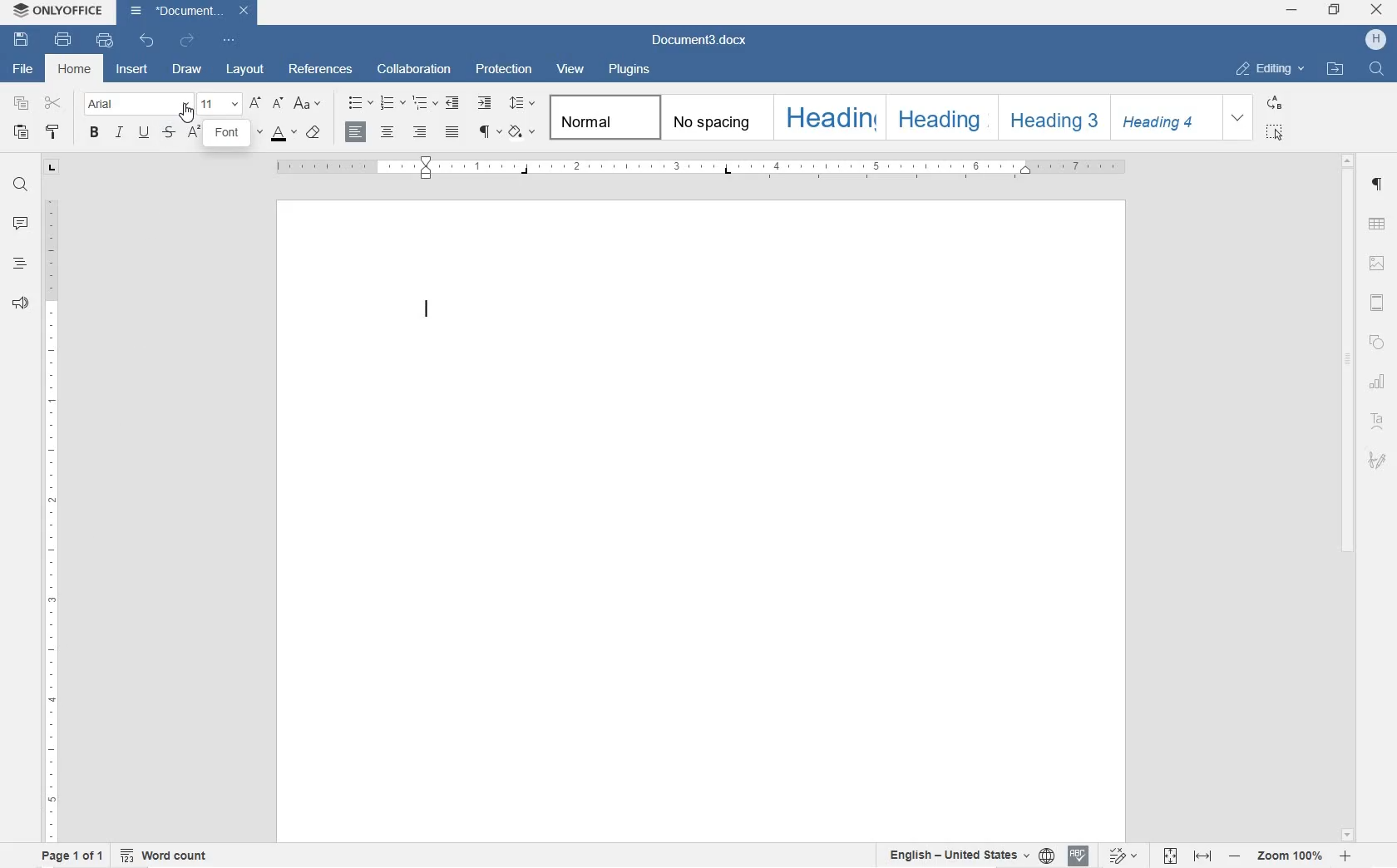  Describe the element at coordinates (20, 133) in the screenshot. I see `PASTE` at that location.